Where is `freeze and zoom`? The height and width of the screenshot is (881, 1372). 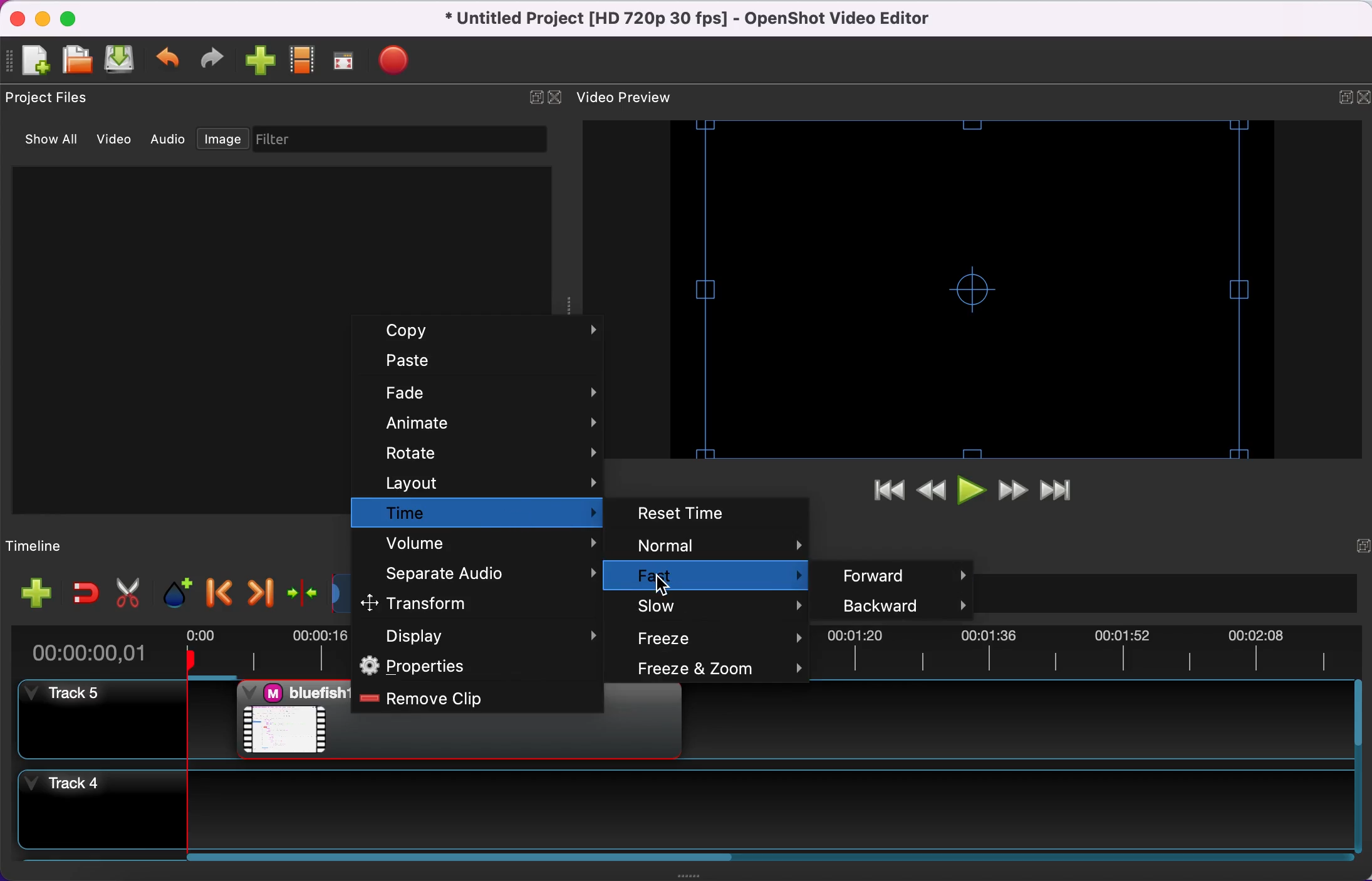 freeze and zoom is located at coordinates (718, 669).